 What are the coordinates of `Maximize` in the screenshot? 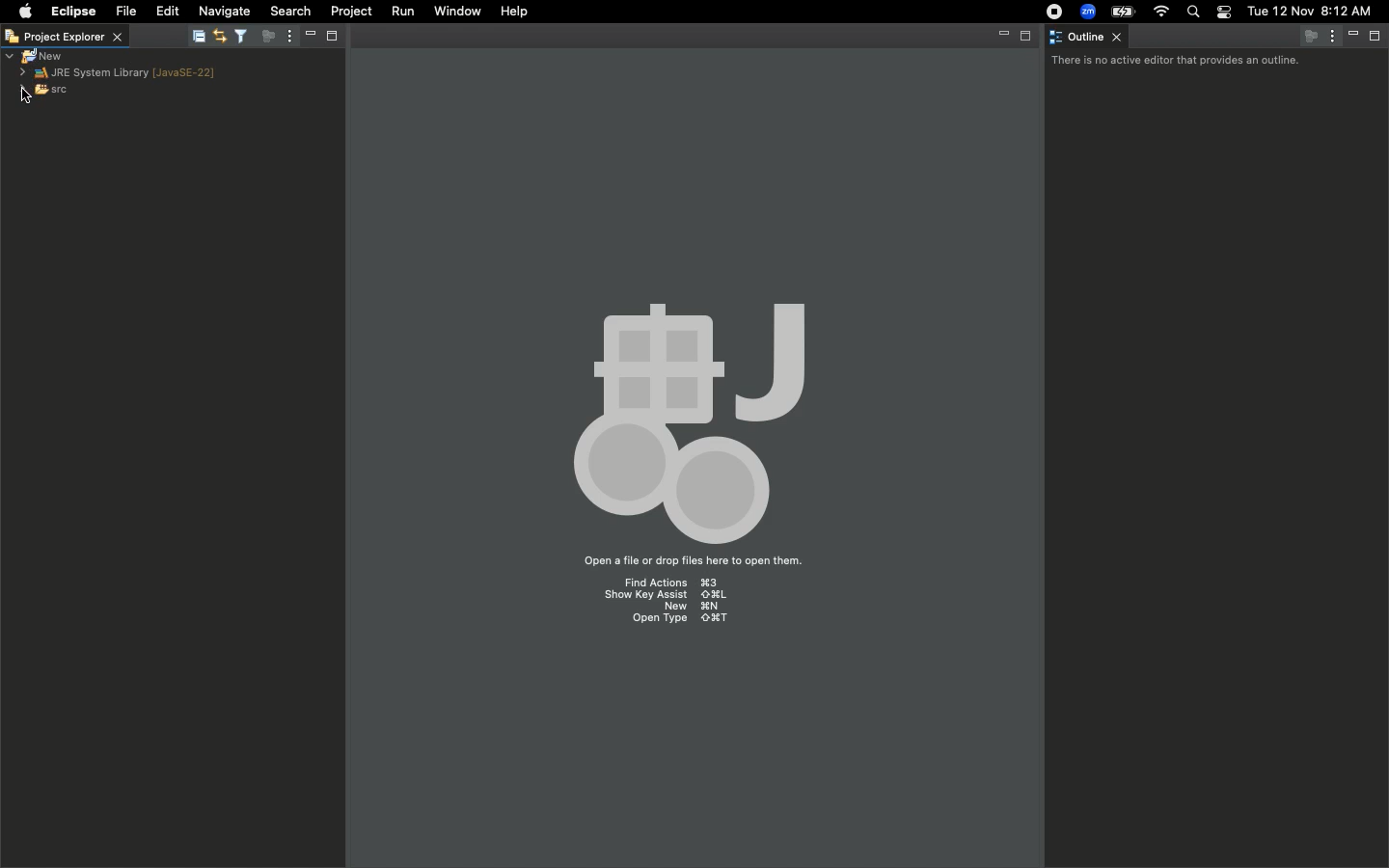 It's located at (330, 36).